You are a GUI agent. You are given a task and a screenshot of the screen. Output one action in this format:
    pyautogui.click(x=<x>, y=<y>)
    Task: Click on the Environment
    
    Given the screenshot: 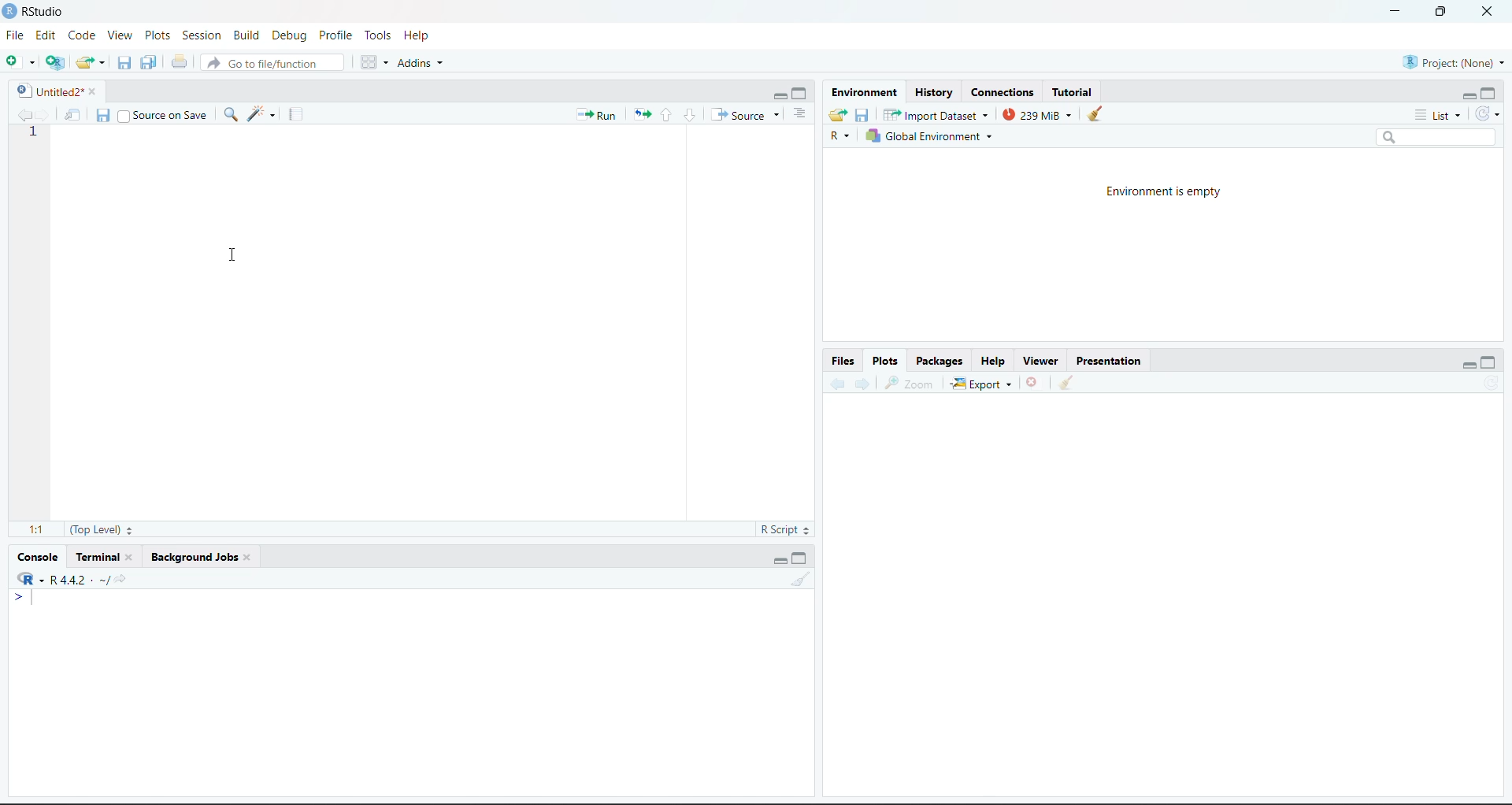 What is the action you would take?
    pyautogui.click(x=865, y=95)
    